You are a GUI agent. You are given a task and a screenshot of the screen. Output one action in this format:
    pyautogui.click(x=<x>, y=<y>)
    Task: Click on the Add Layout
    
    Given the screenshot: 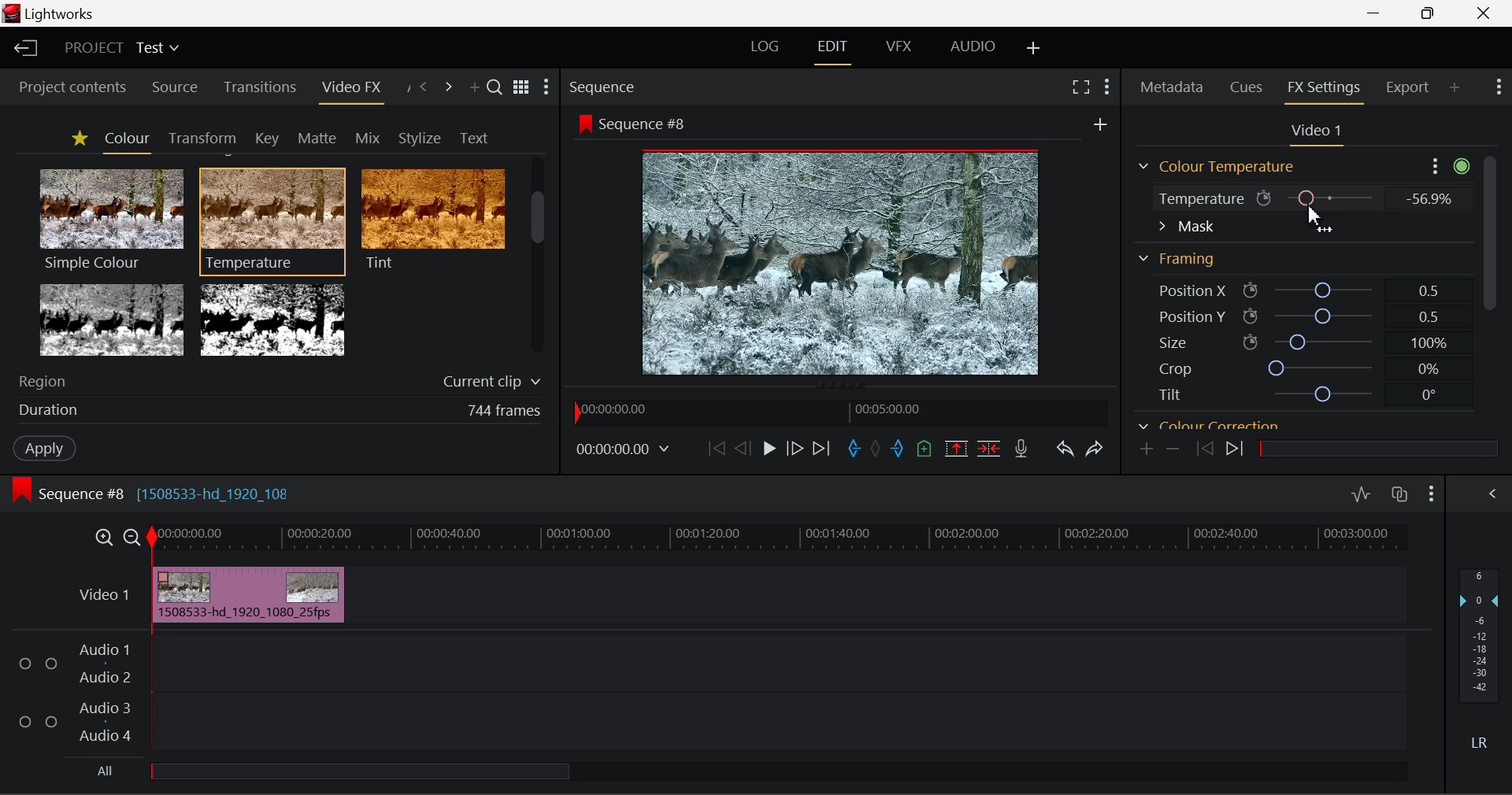 What is the action you would take?
    pyautogui.click(x=1033, y=48)
    